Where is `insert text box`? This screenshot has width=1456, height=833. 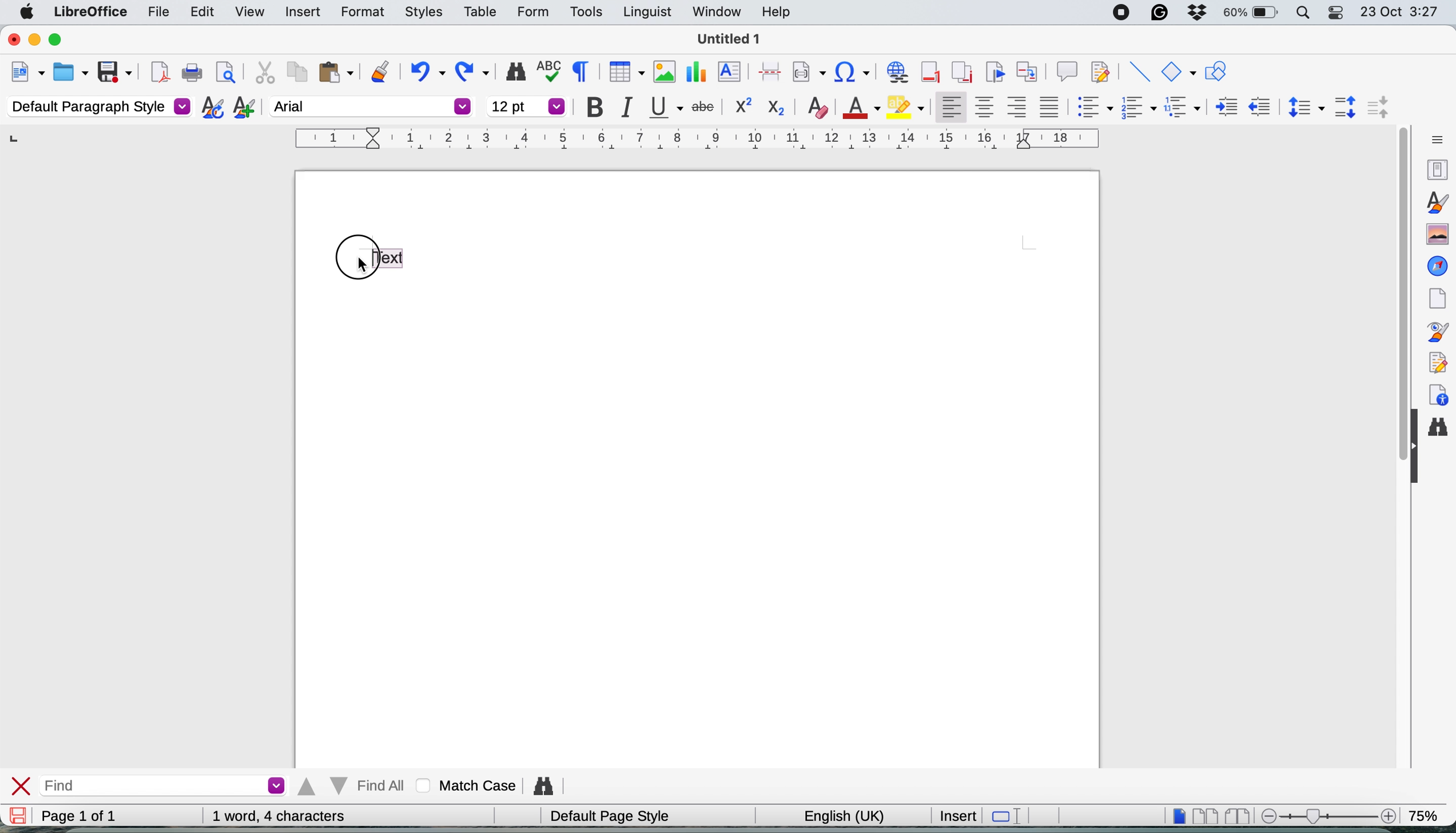 insert text box is located at coordinates (731, 73).